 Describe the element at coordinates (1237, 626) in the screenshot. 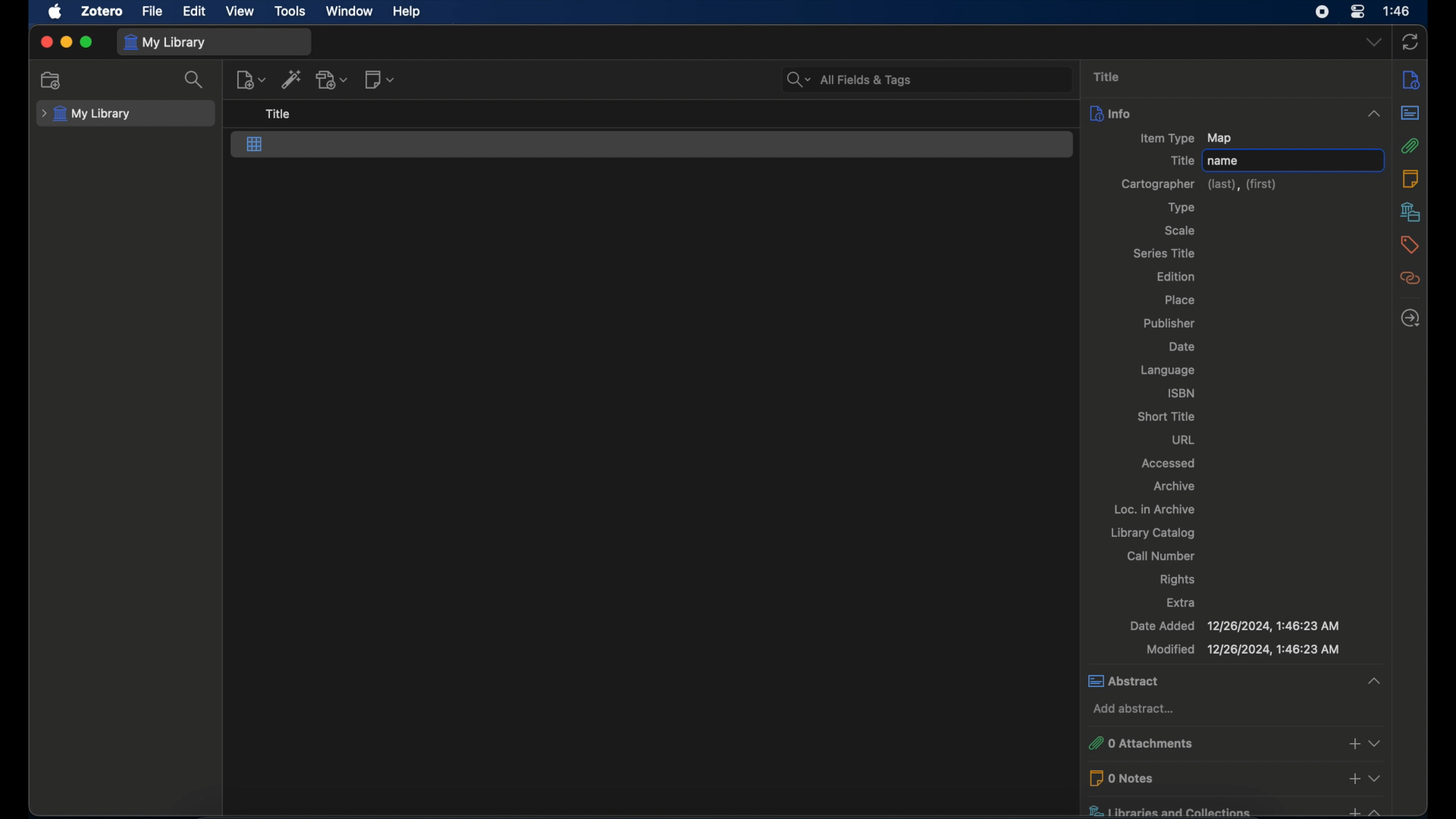

I see `date added 12/26/2024, 1:46:23 AM` at that location.